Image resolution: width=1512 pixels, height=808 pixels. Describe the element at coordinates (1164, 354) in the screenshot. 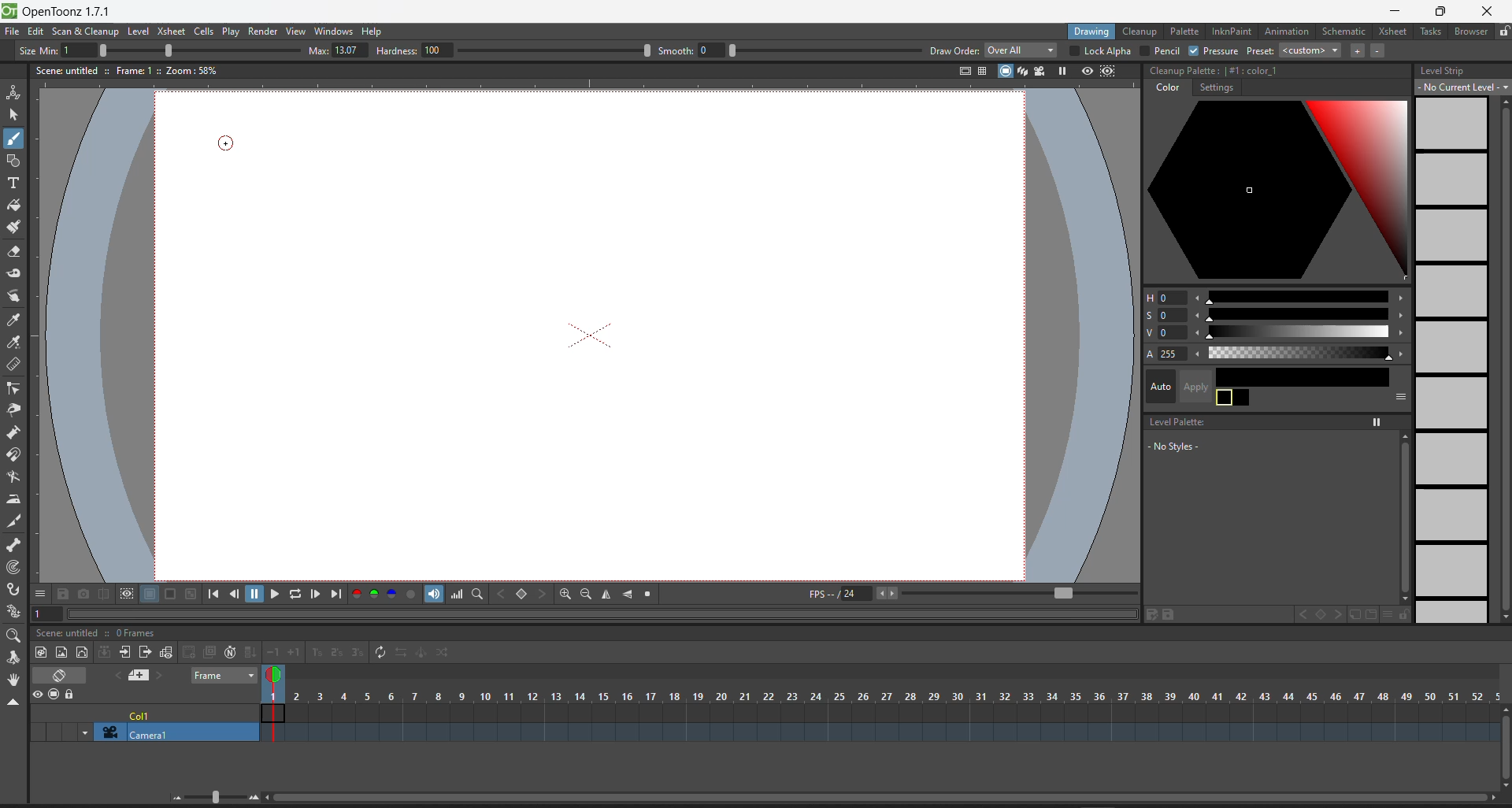

I see `alpha` at that location.